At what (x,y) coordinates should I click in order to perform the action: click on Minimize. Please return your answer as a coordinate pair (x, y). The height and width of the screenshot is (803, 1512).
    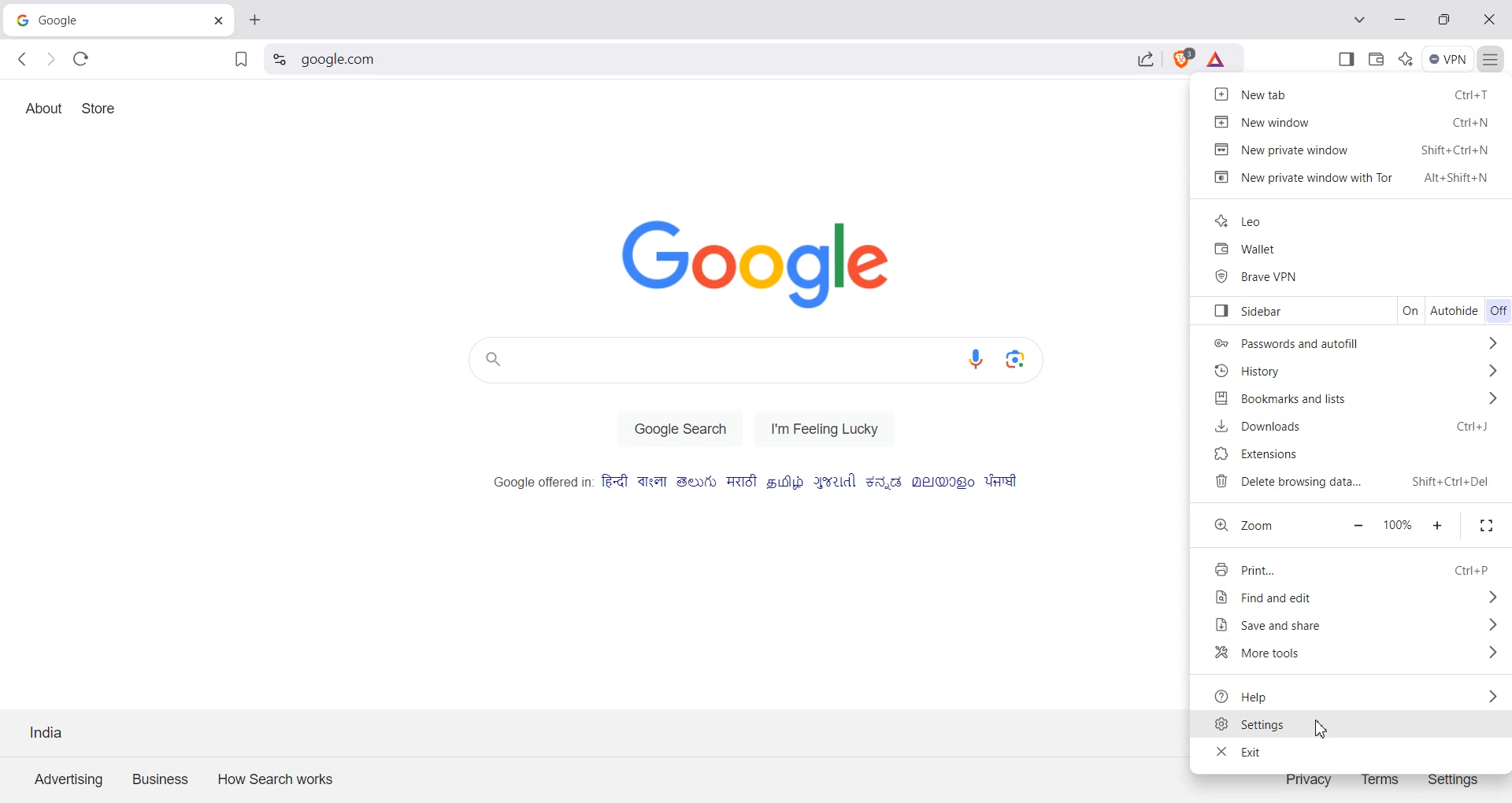
    Looking at the image, I should click on (1358, 526).